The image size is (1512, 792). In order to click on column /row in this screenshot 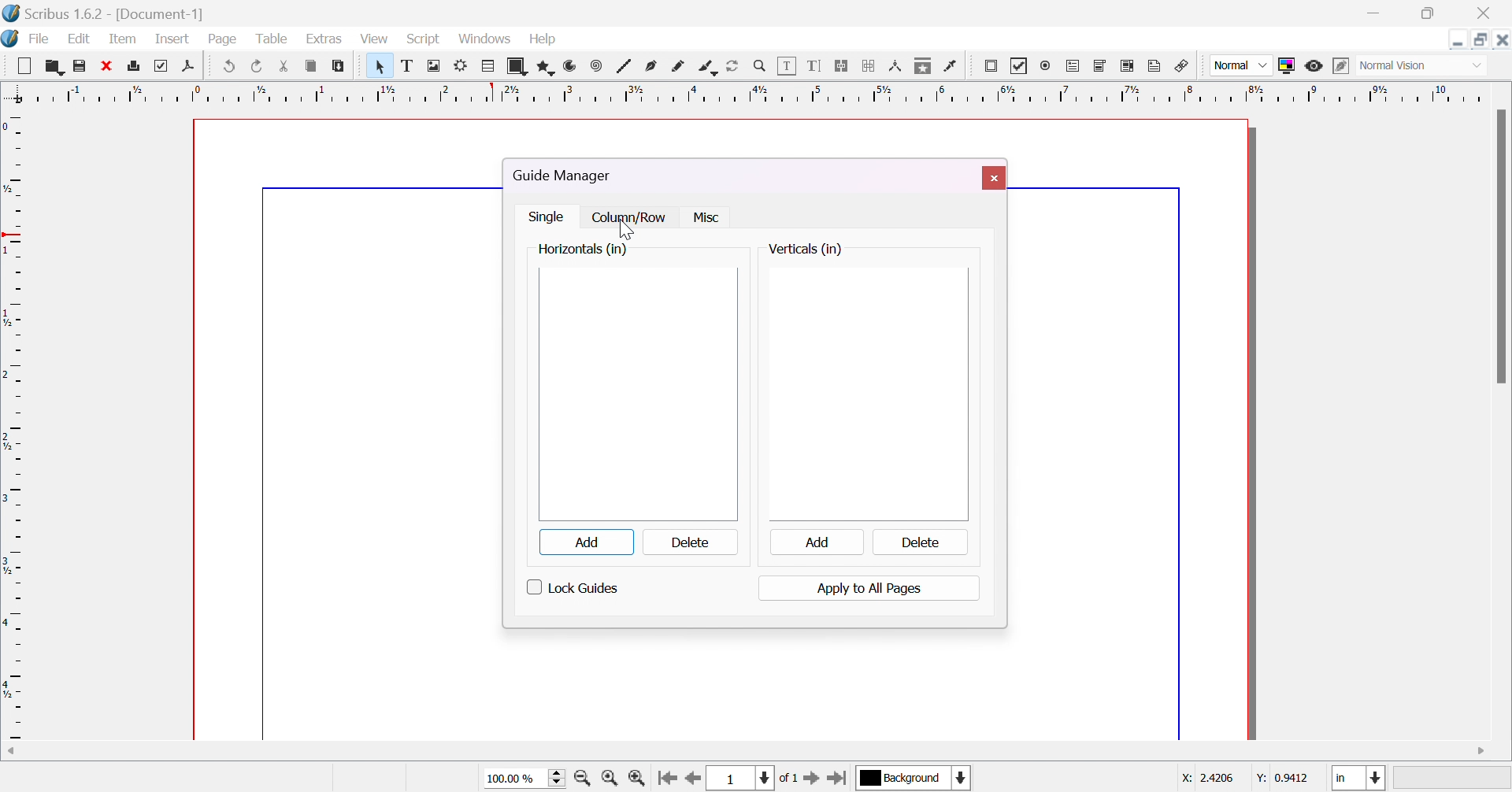, I will do `click(632, 217)`.